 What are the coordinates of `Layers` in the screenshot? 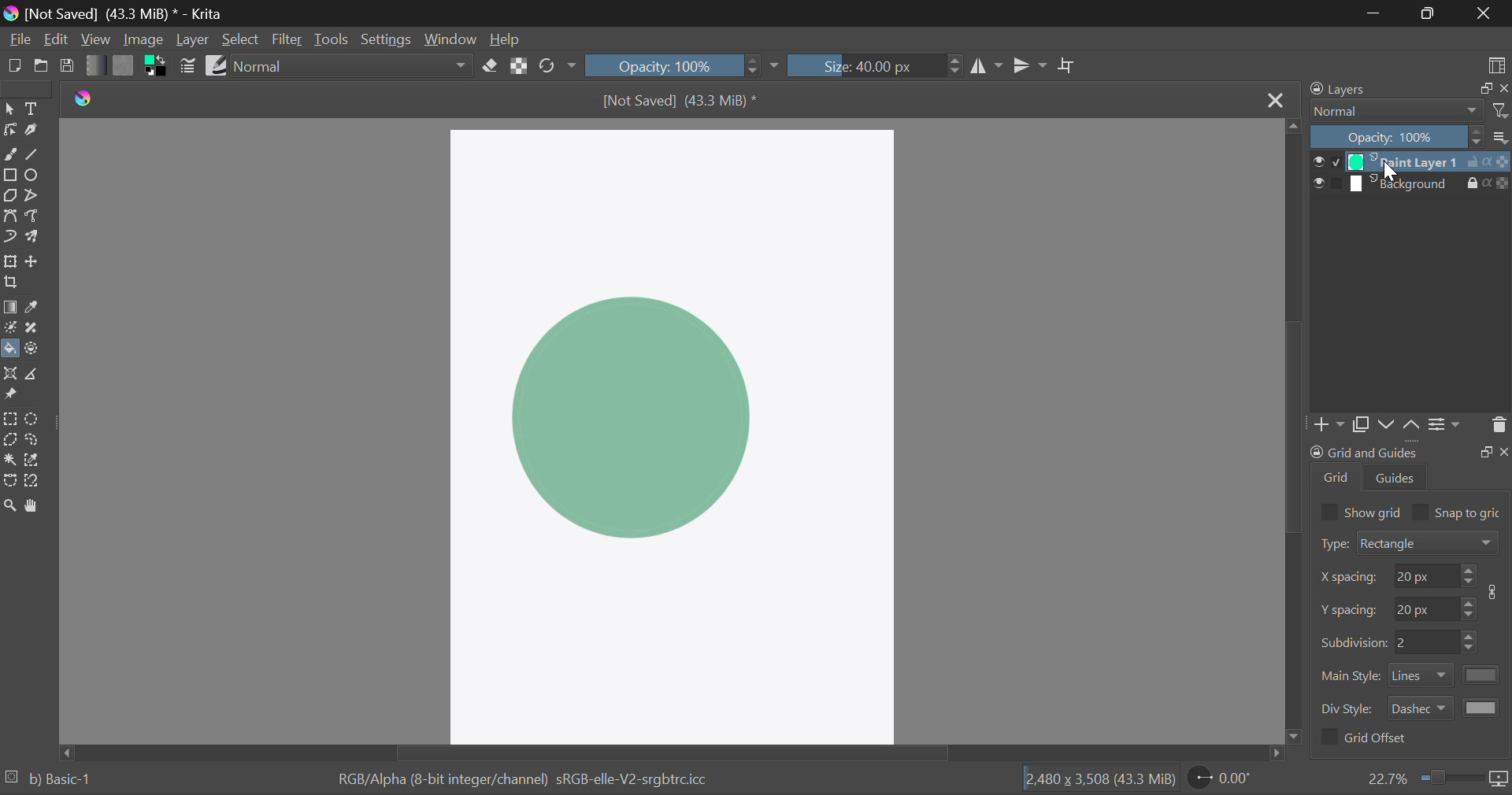 It's located at (1410, 176).